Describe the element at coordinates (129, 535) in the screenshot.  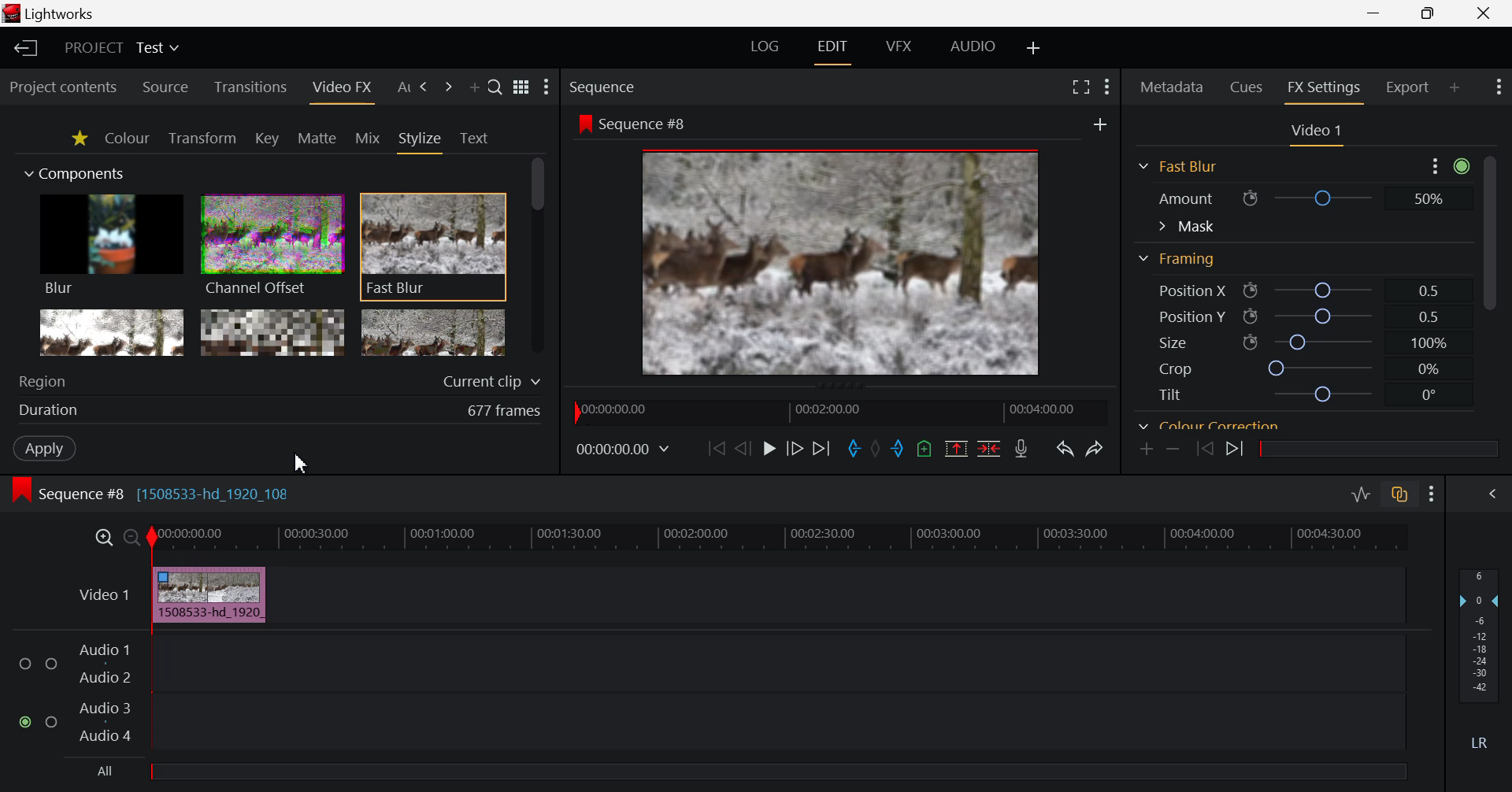
I see `Timeline Zoom Out` at that location.